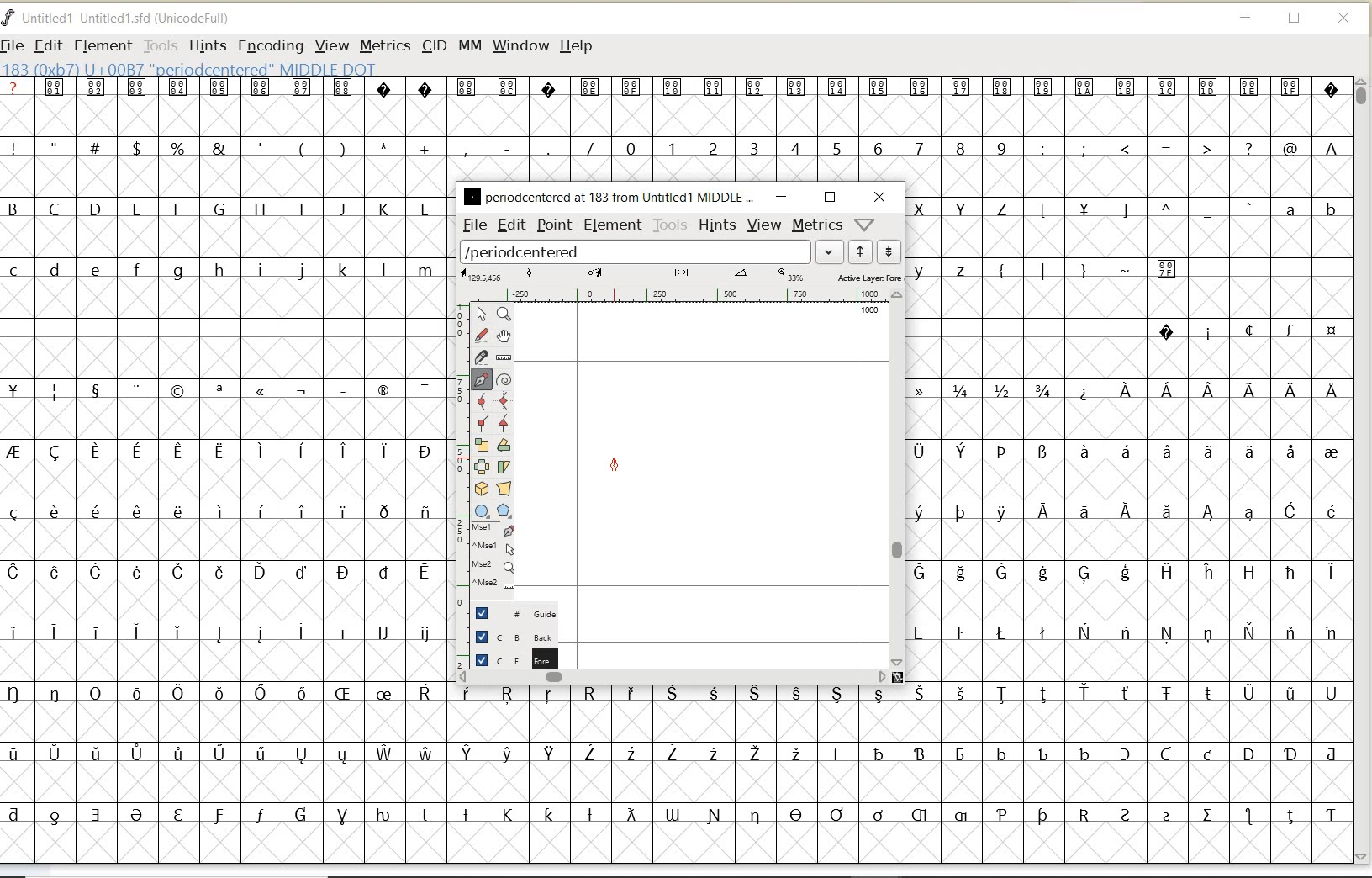 This screenshot has width=1372, height=878. Describe the element at coordinates (504, 399) in the screenshot. I see `add a curve point always either horizontal or vertical` at that location.